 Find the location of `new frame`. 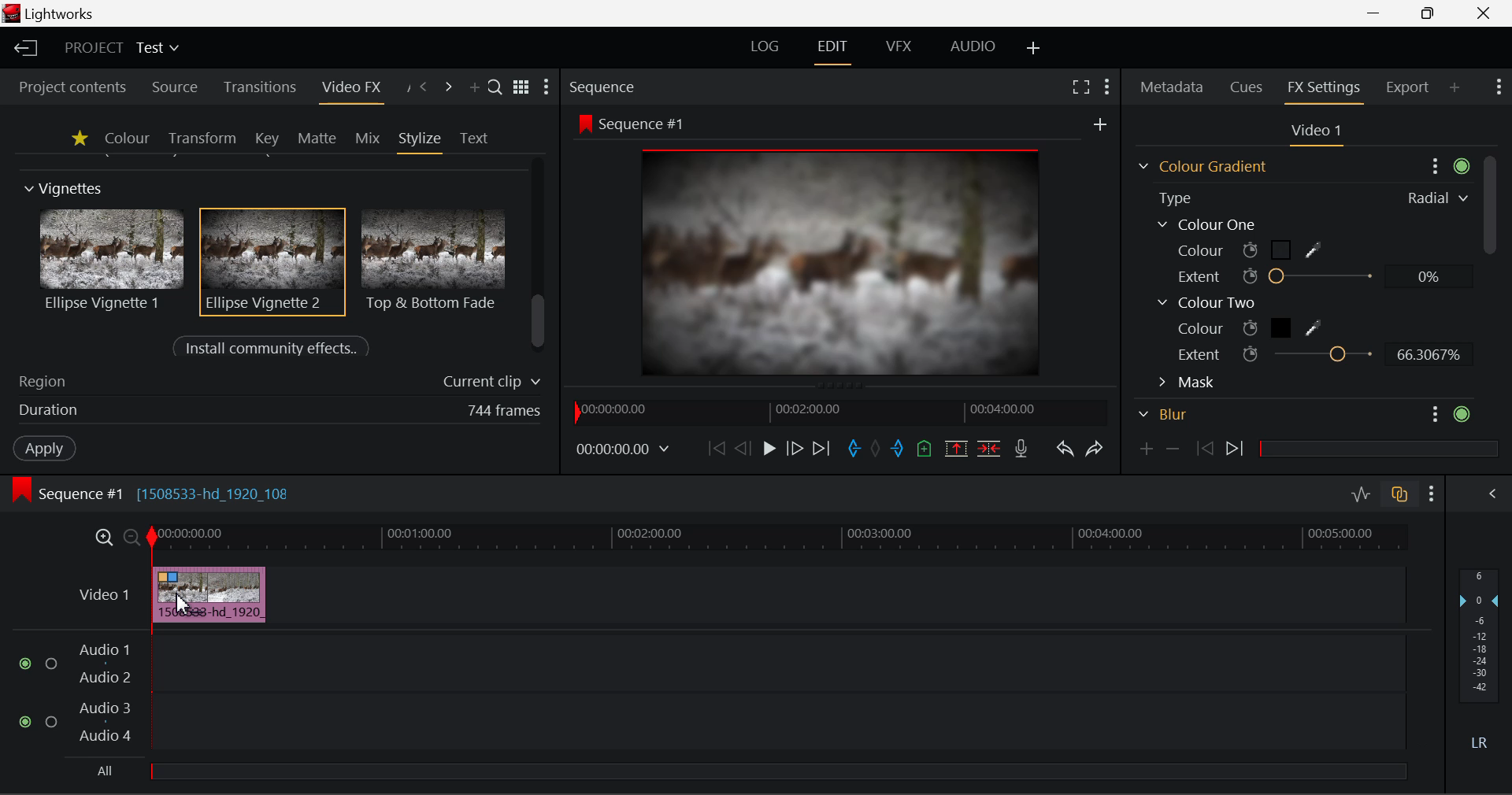

new frame is located at coordinates (1102, 124).